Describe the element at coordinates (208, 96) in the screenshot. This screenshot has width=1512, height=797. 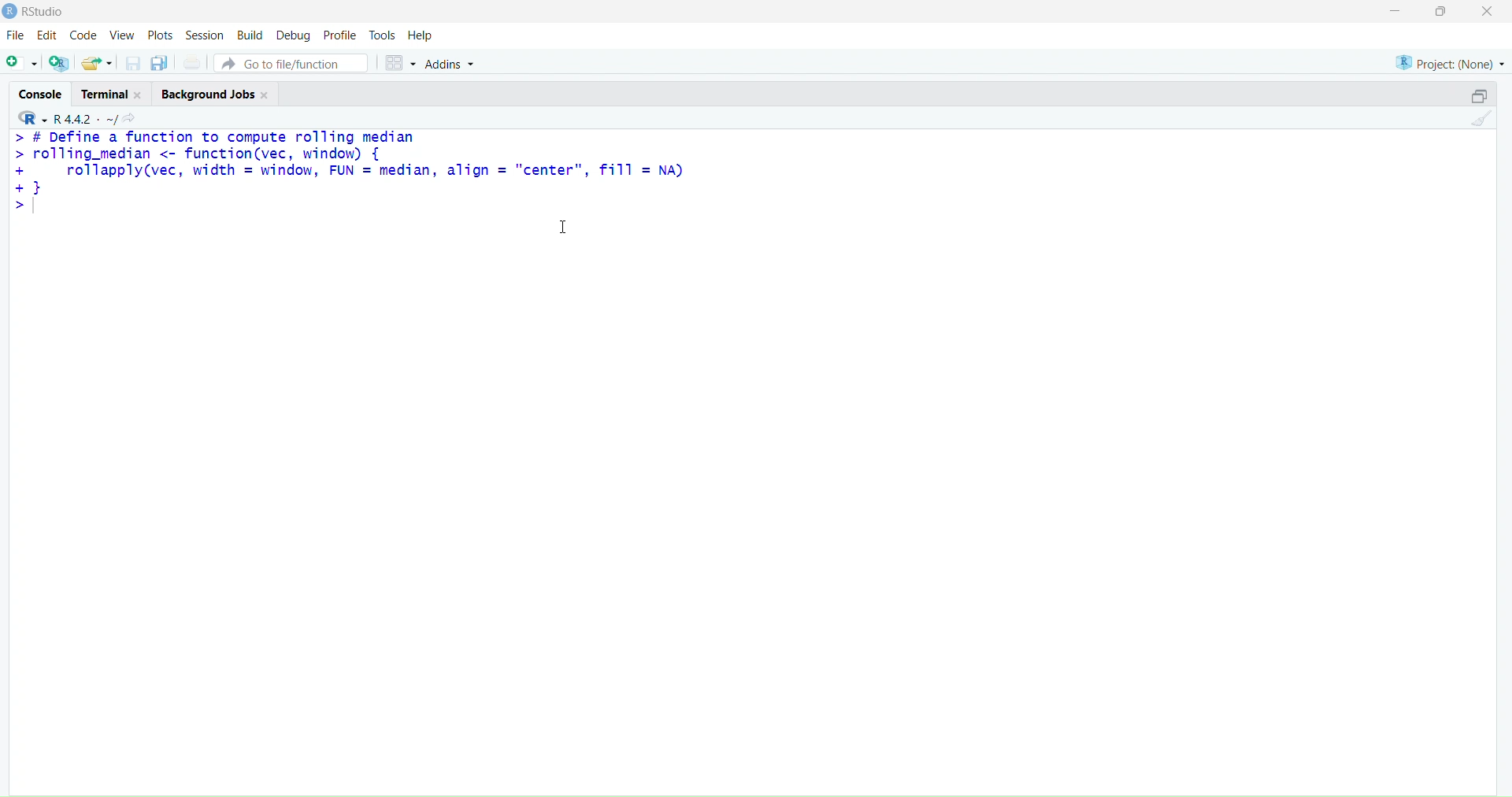
I see `background jobs` at that location.